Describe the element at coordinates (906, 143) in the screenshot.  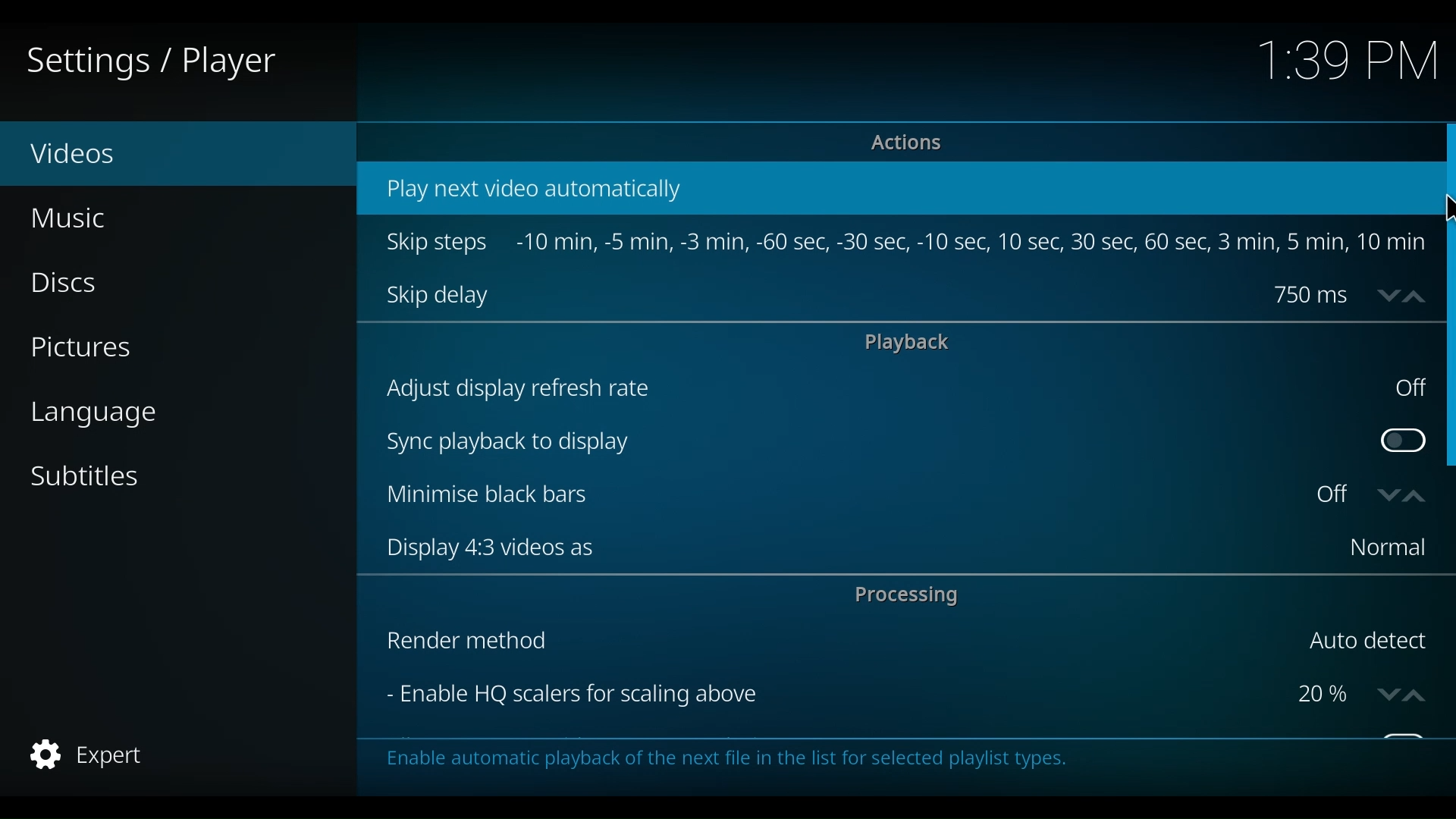
I see `Actions` at that location.